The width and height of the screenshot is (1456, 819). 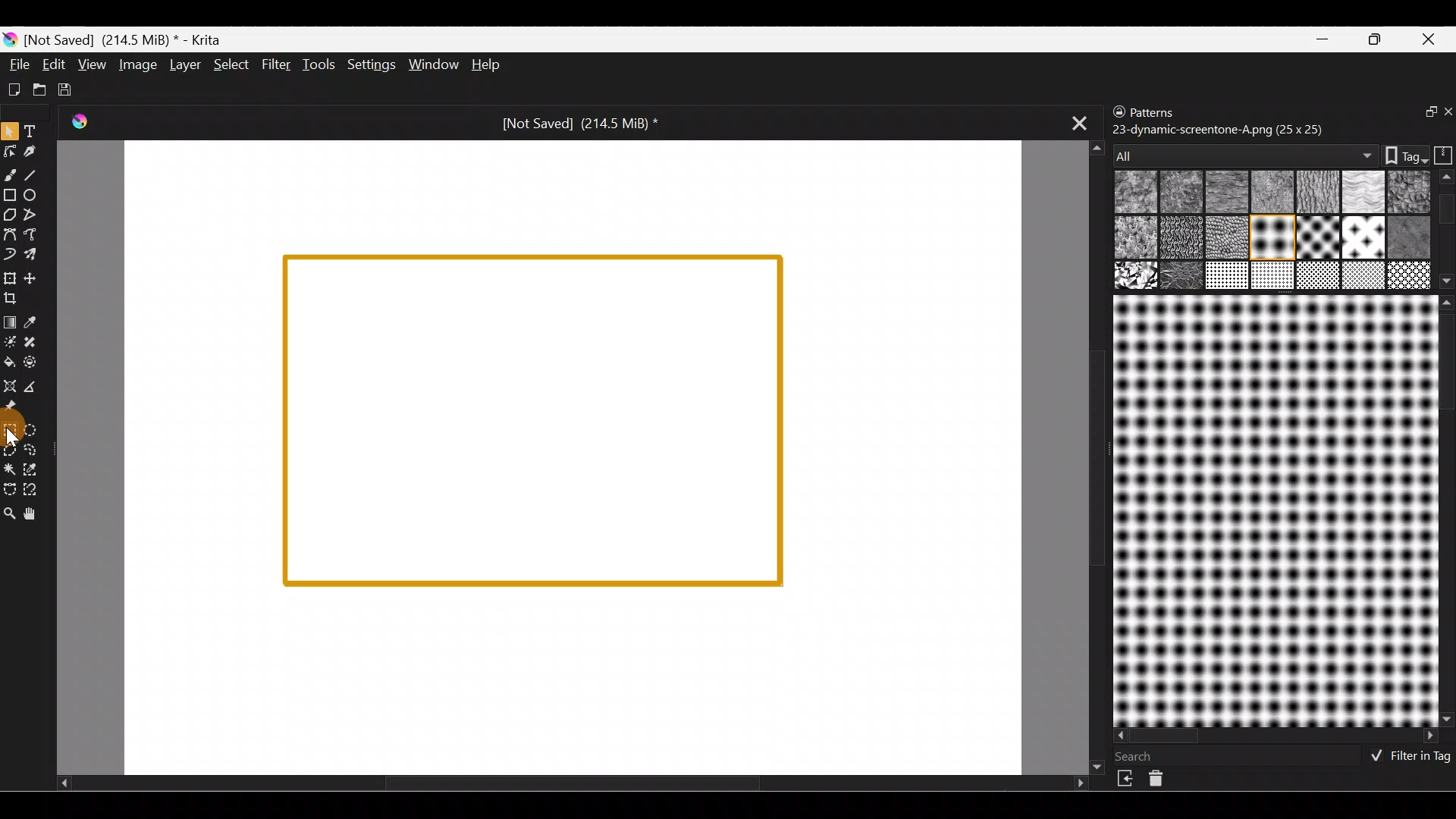 What do you see at coordinates (572, 787) in the screenshot?
I see `Scroll tab` at bounding box center [572, 787].